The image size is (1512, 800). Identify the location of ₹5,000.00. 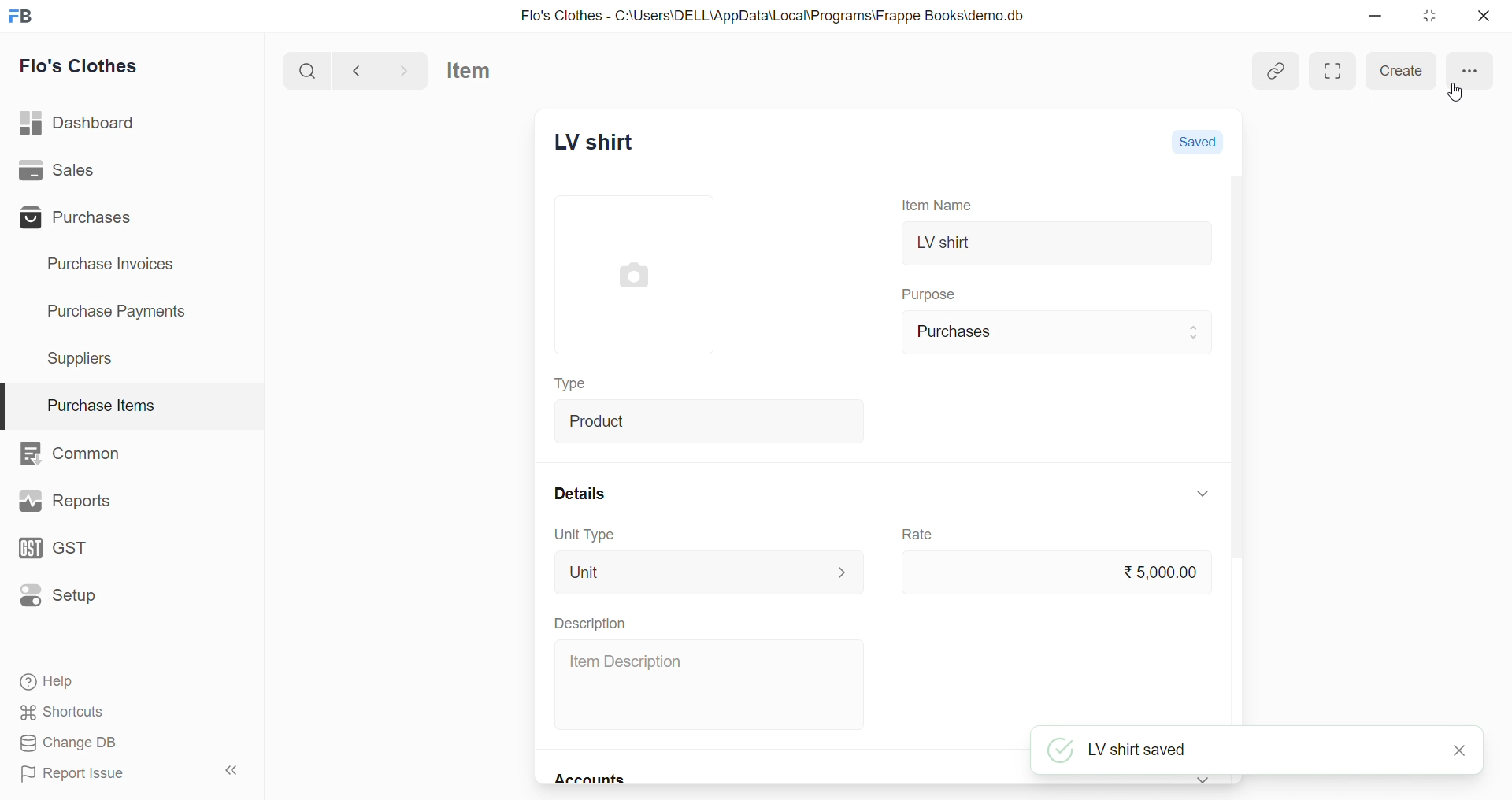
(1053, 572).